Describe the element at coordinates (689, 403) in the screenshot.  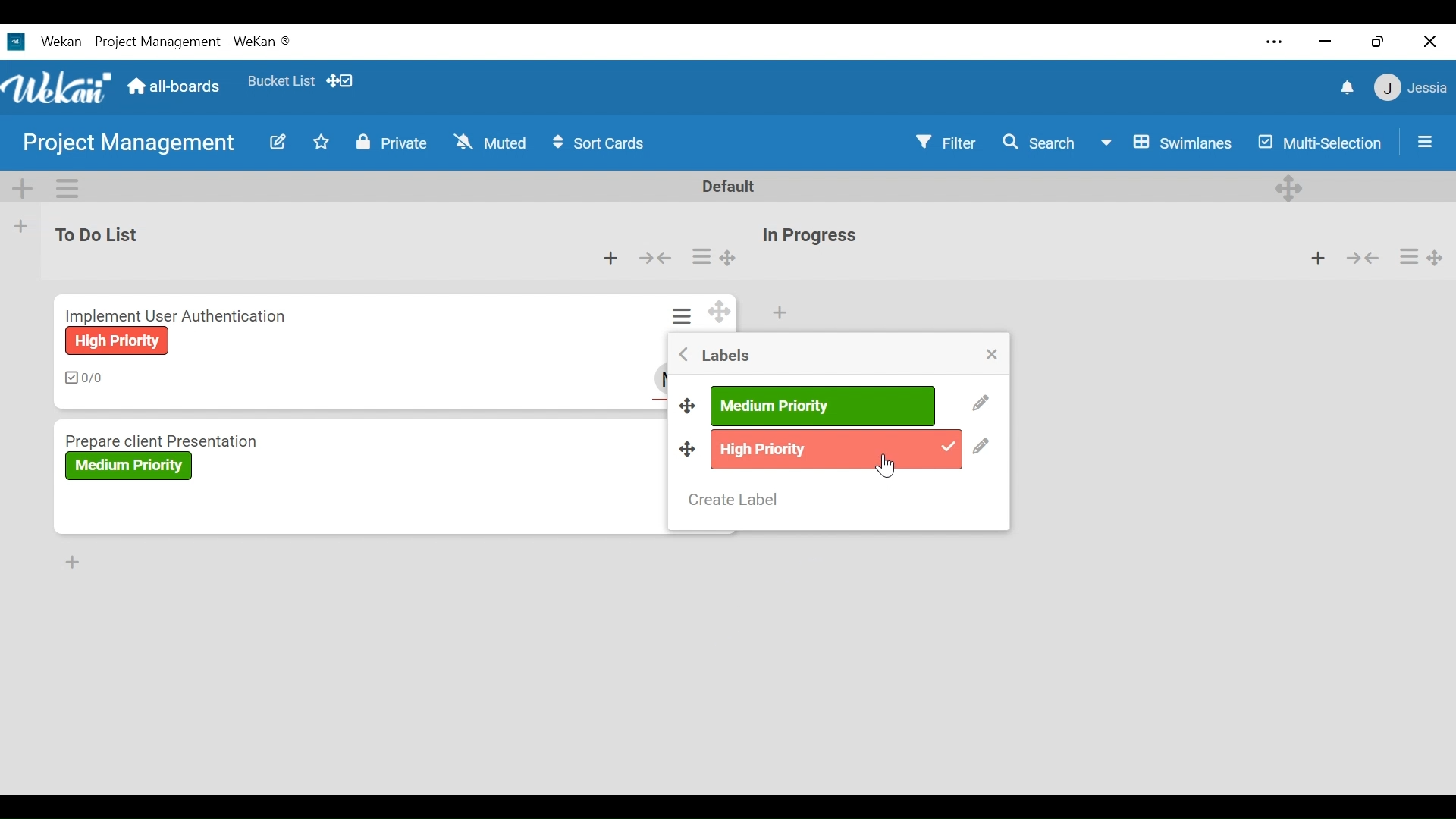
I see `Desktop drag handles` at that location.